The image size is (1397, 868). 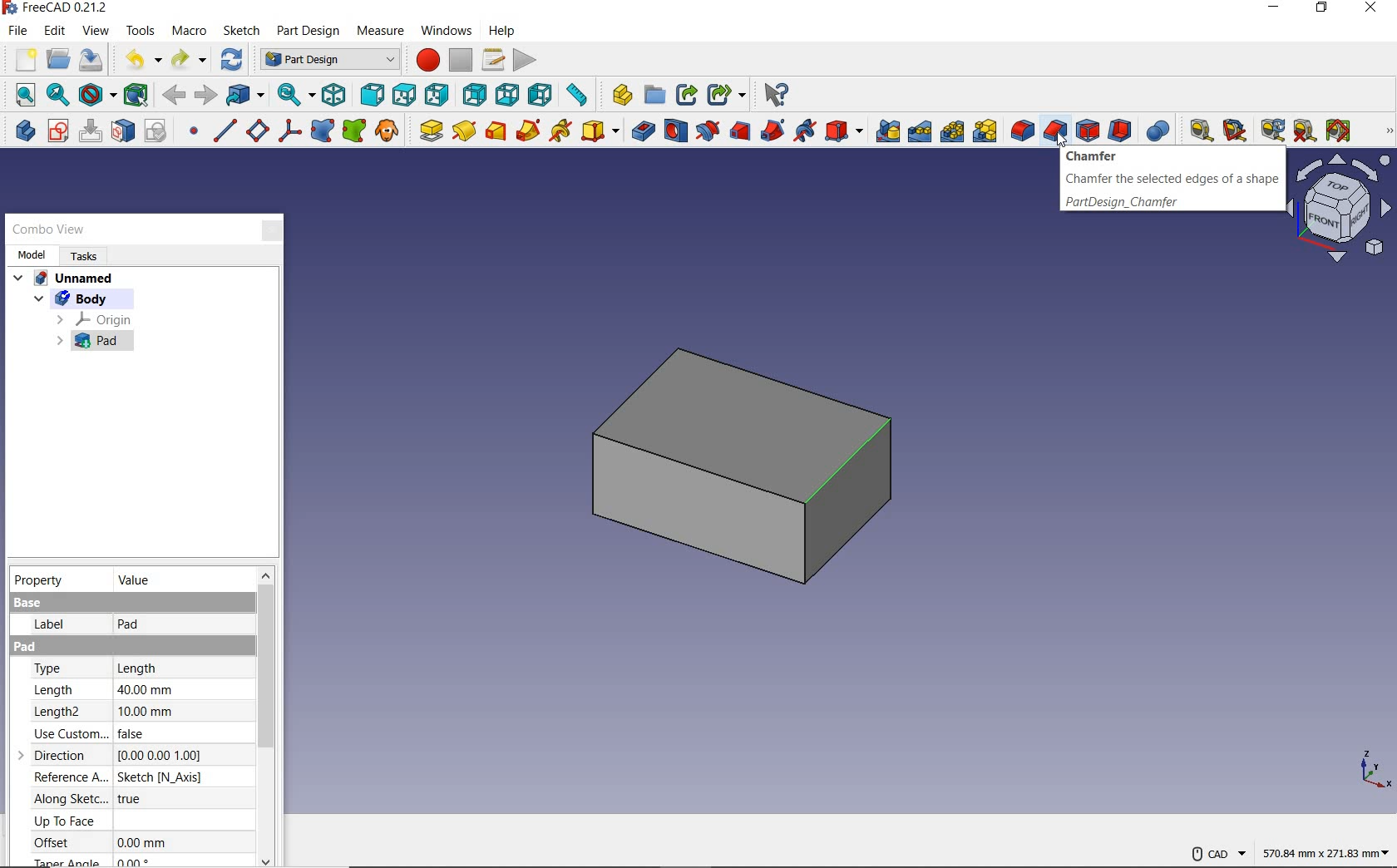 I want to click on undo, so click(x=140, y=60).